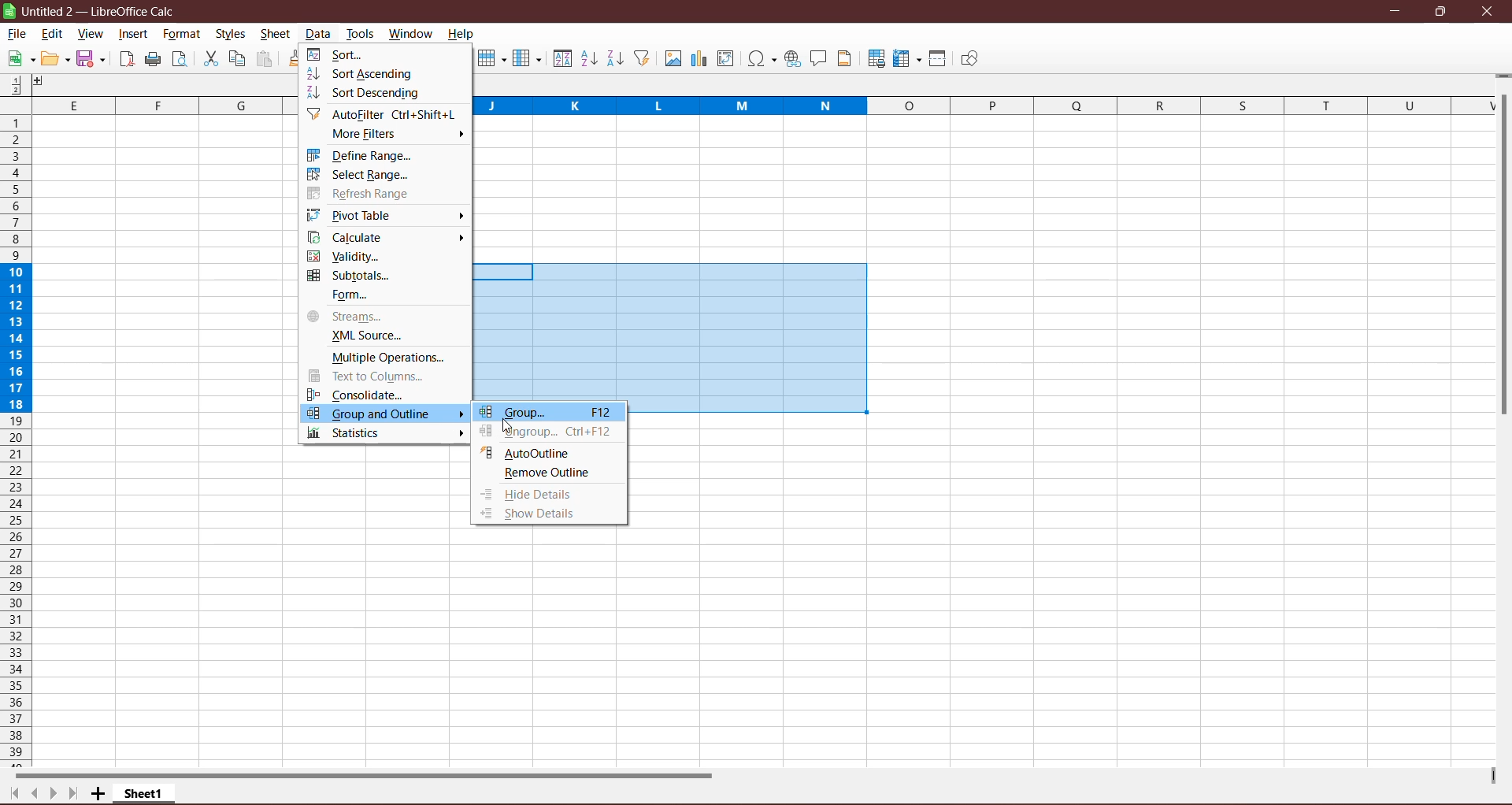  I want to click on Edit, so click(53, 35).